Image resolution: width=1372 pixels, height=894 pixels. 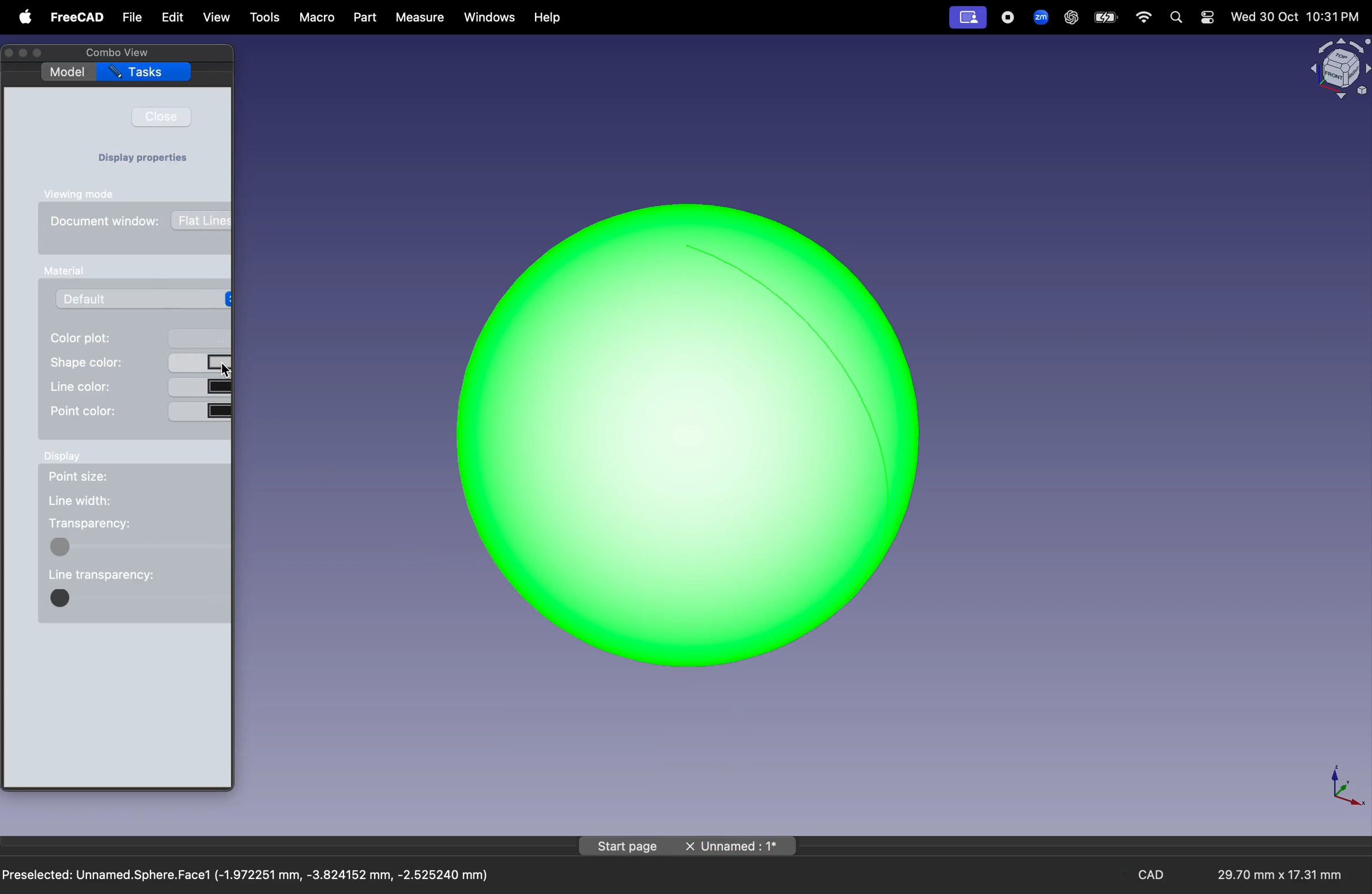 What do you see at coordinates (318, 18) in the screenshot?
I see `marco` at bounding box center [318, 18].